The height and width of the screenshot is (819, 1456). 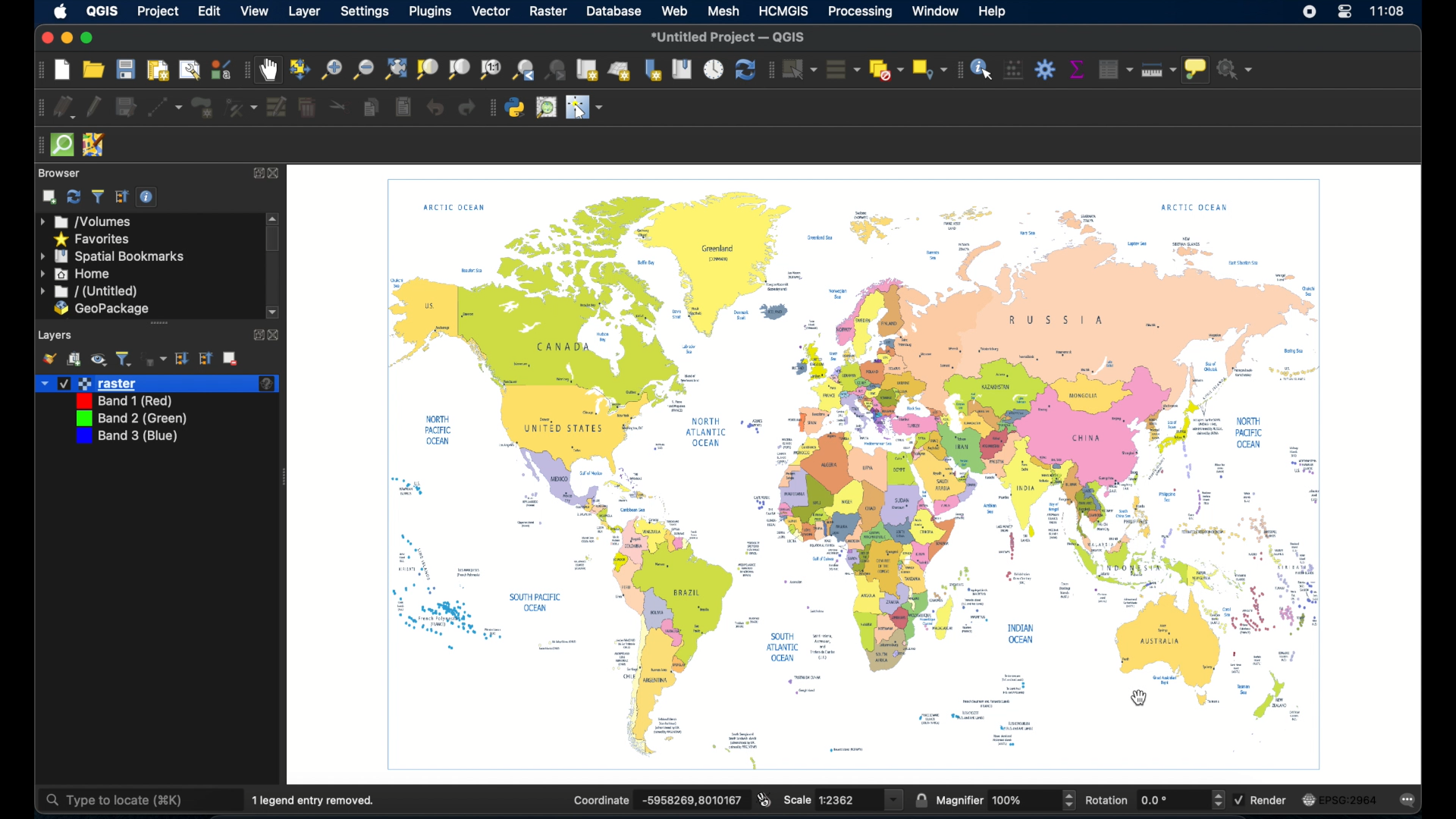 What do you see at coordinates (93, 144) in the screenshot?
I see `josh remote` at bounding box center [93, 144].